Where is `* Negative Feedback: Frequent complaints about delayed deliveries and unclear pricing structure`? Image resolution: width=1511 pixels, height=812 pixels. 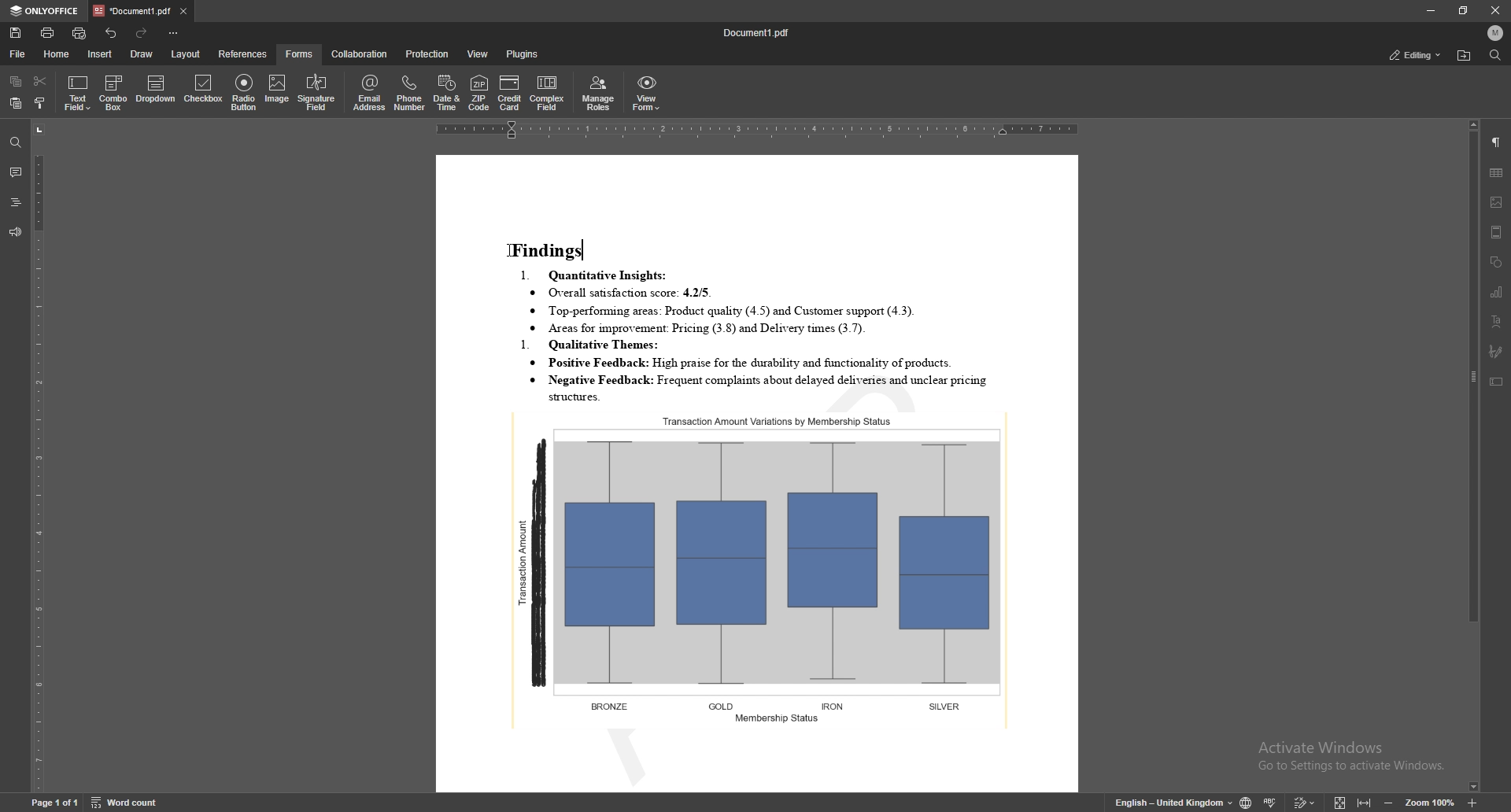 * Negative Feedback: Frequent complaints about delayed deliveries and unclear pricing structure is located at coordinates (764, 388).